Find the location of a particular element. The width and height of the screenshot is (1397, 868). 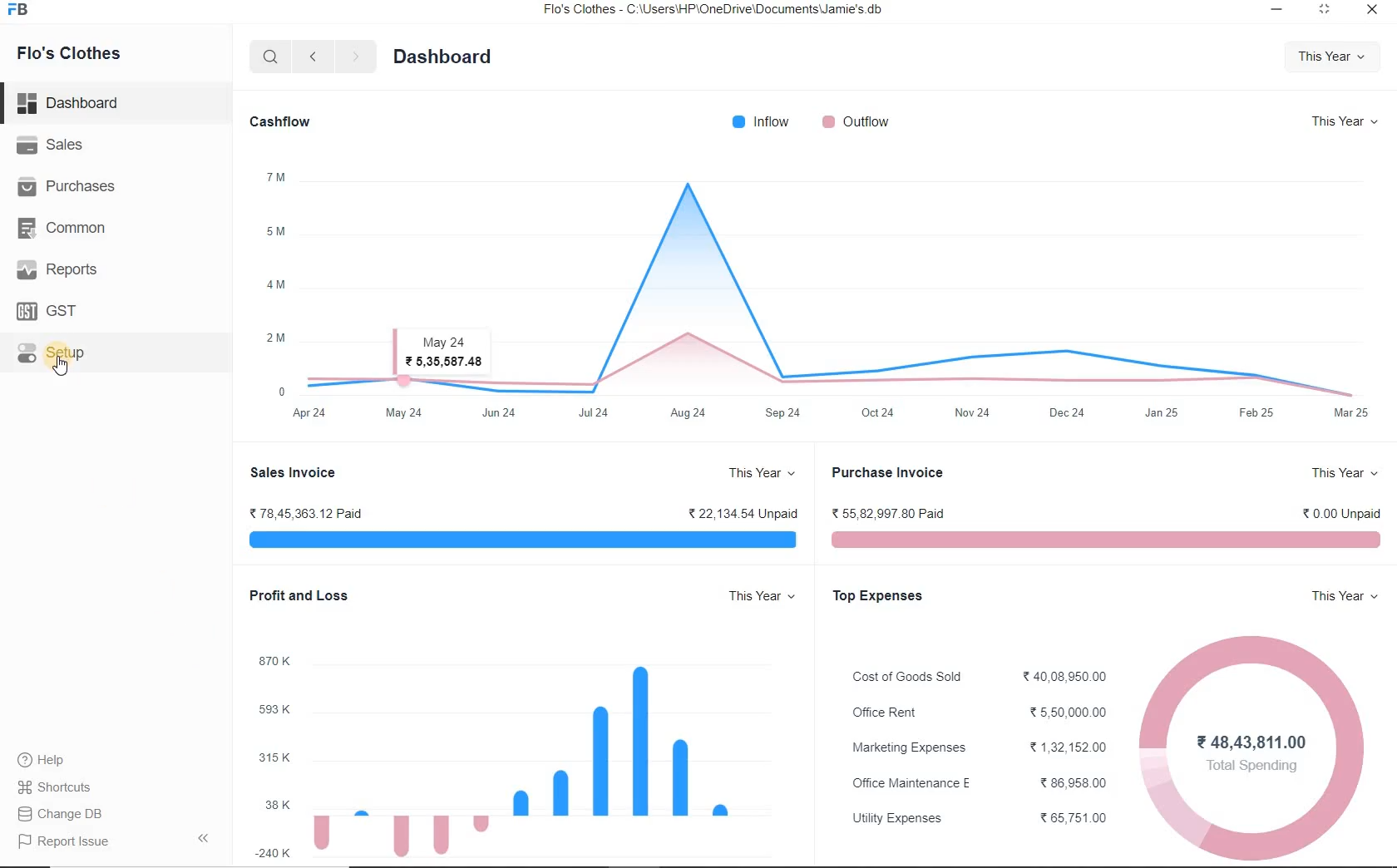

Cashflow is located at coordinates (279, 124).